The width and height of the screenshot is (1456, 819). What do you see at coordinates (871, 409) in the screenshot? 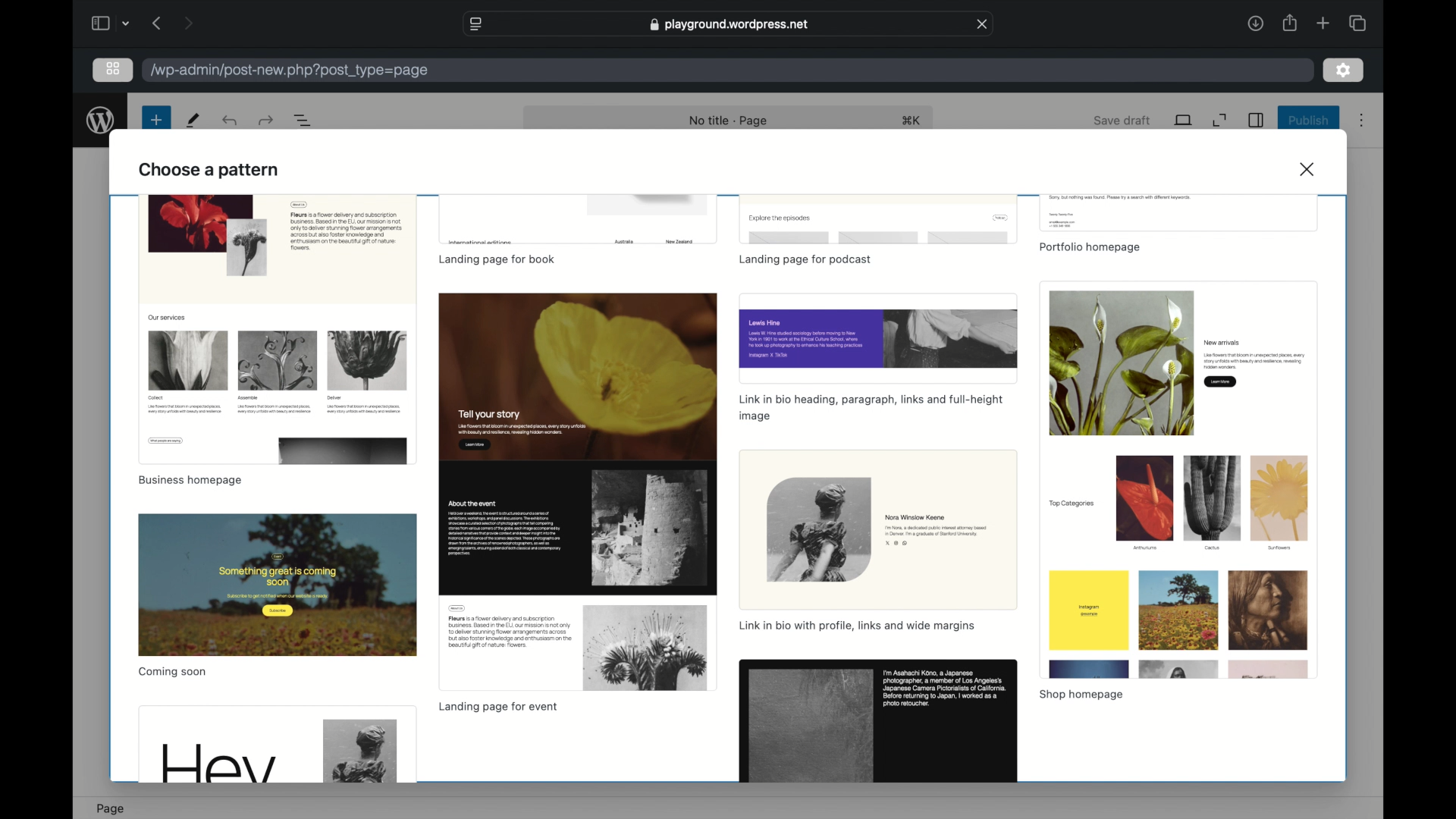
I see `template name` at bounding box center [871, 409].